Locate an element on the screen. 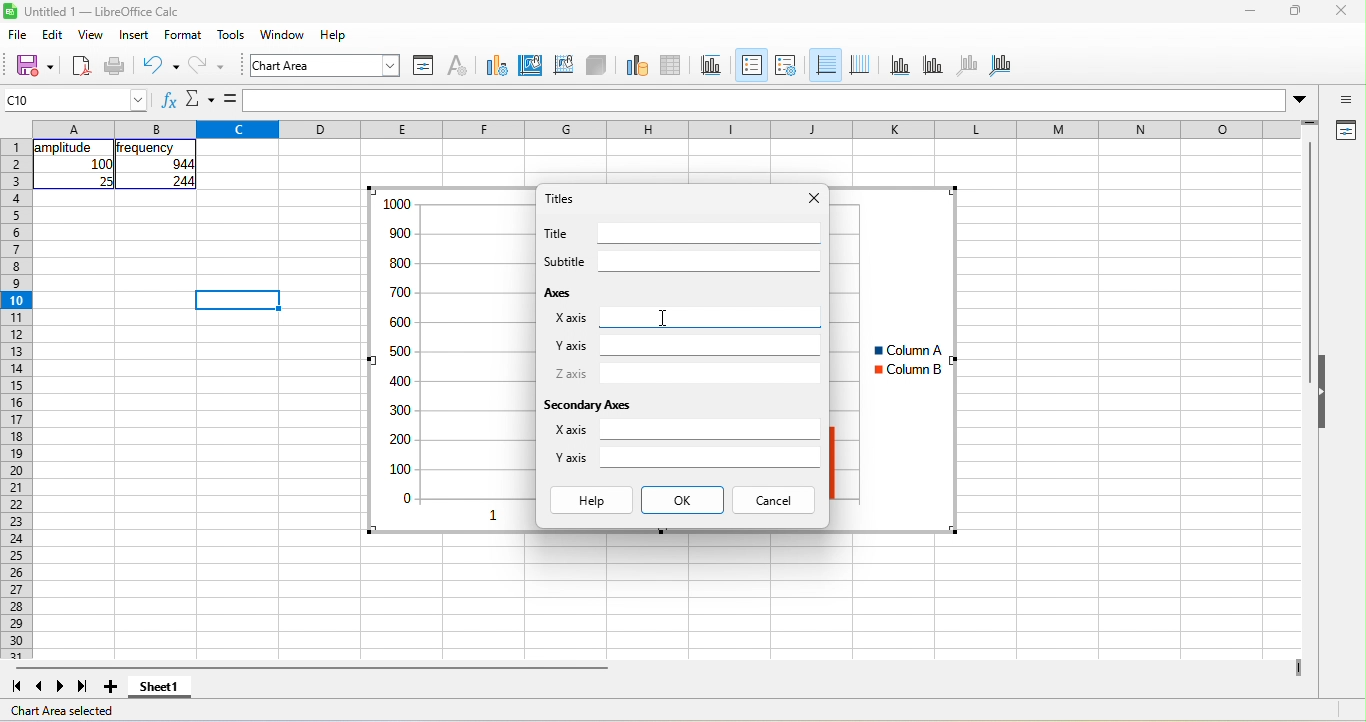  properties is located at coordinates (1344, 131).